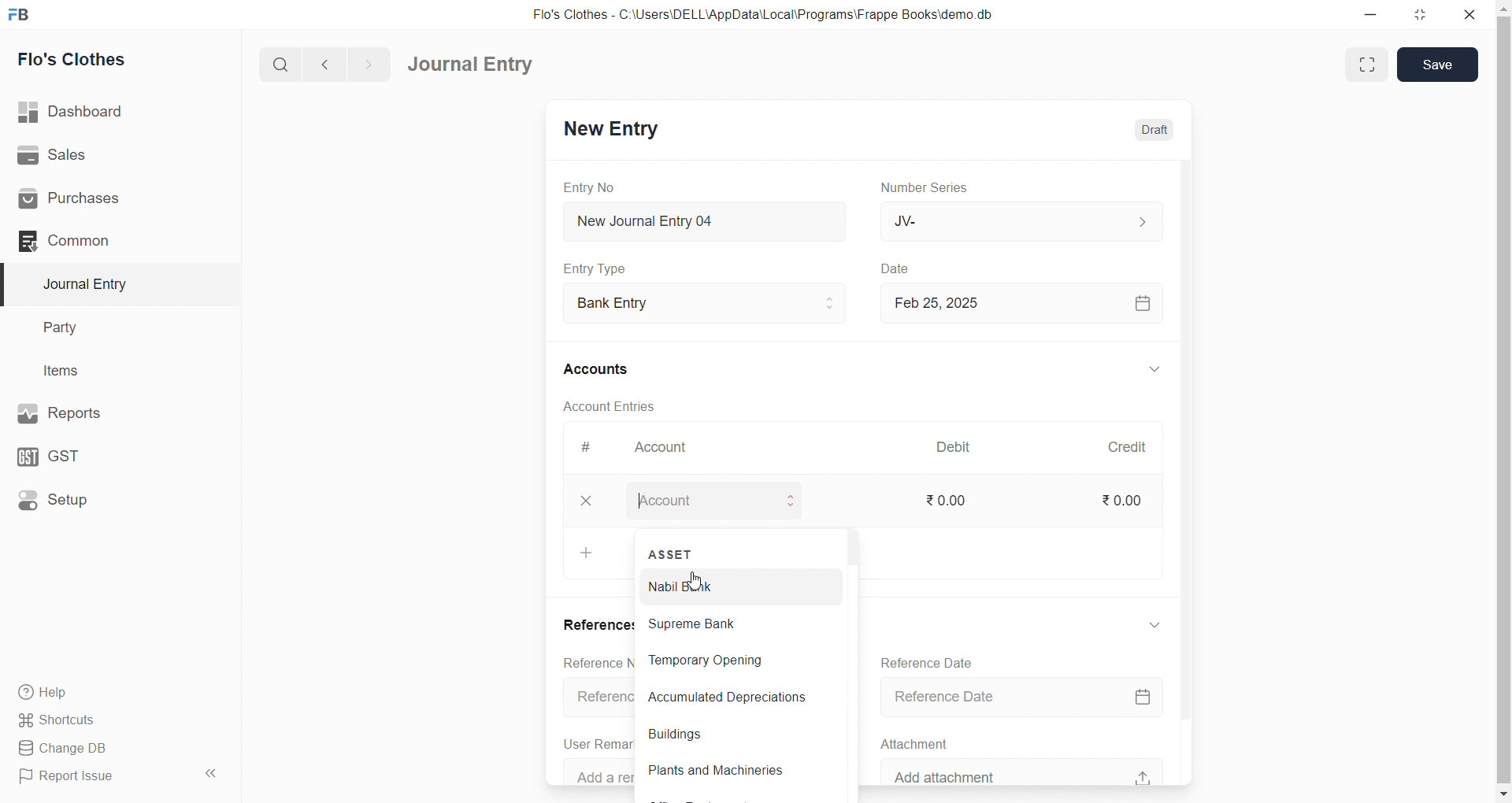 The height and width of the screenshot is (803, 1512). Describe the element at coordinates (476, 65) in the screenshot. I see `Journal Entry` at that location.